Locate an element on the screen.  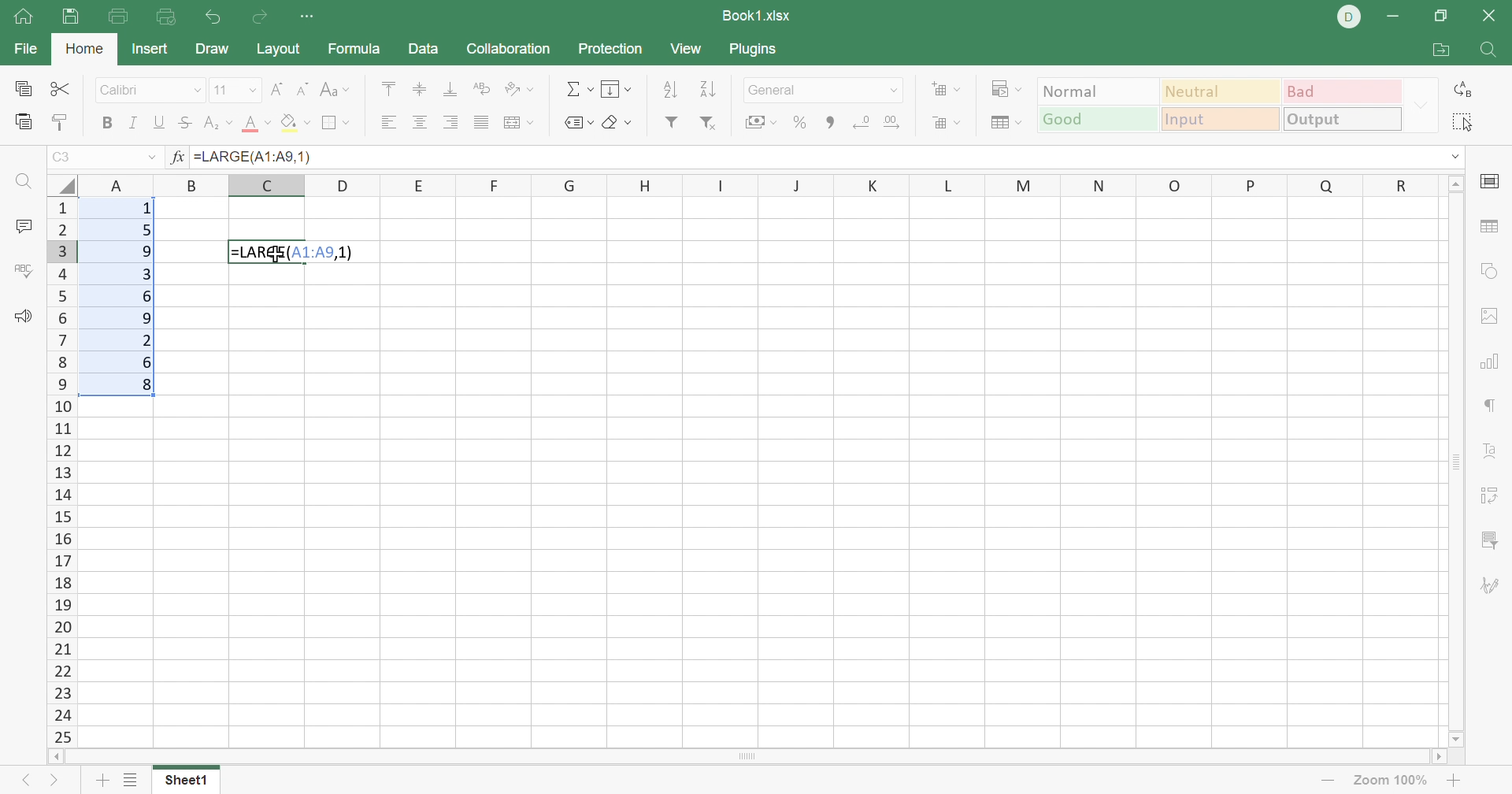
Input is located at coordinates (1222, 121).